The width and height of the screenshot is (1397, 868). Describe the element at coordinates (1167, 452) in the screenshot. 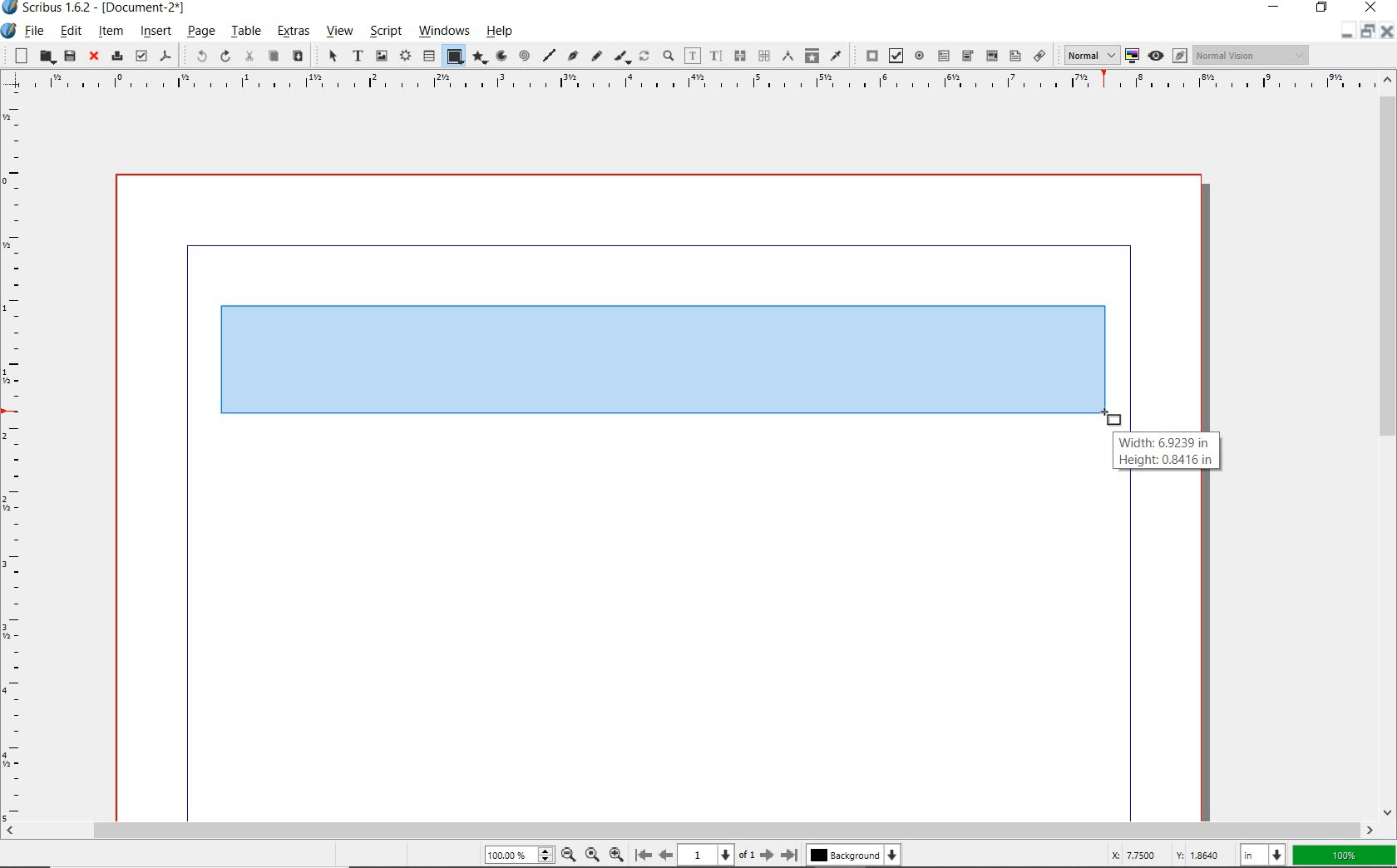

I see `Width: 6.9239 in  Height: 0.3416 in` at that location.